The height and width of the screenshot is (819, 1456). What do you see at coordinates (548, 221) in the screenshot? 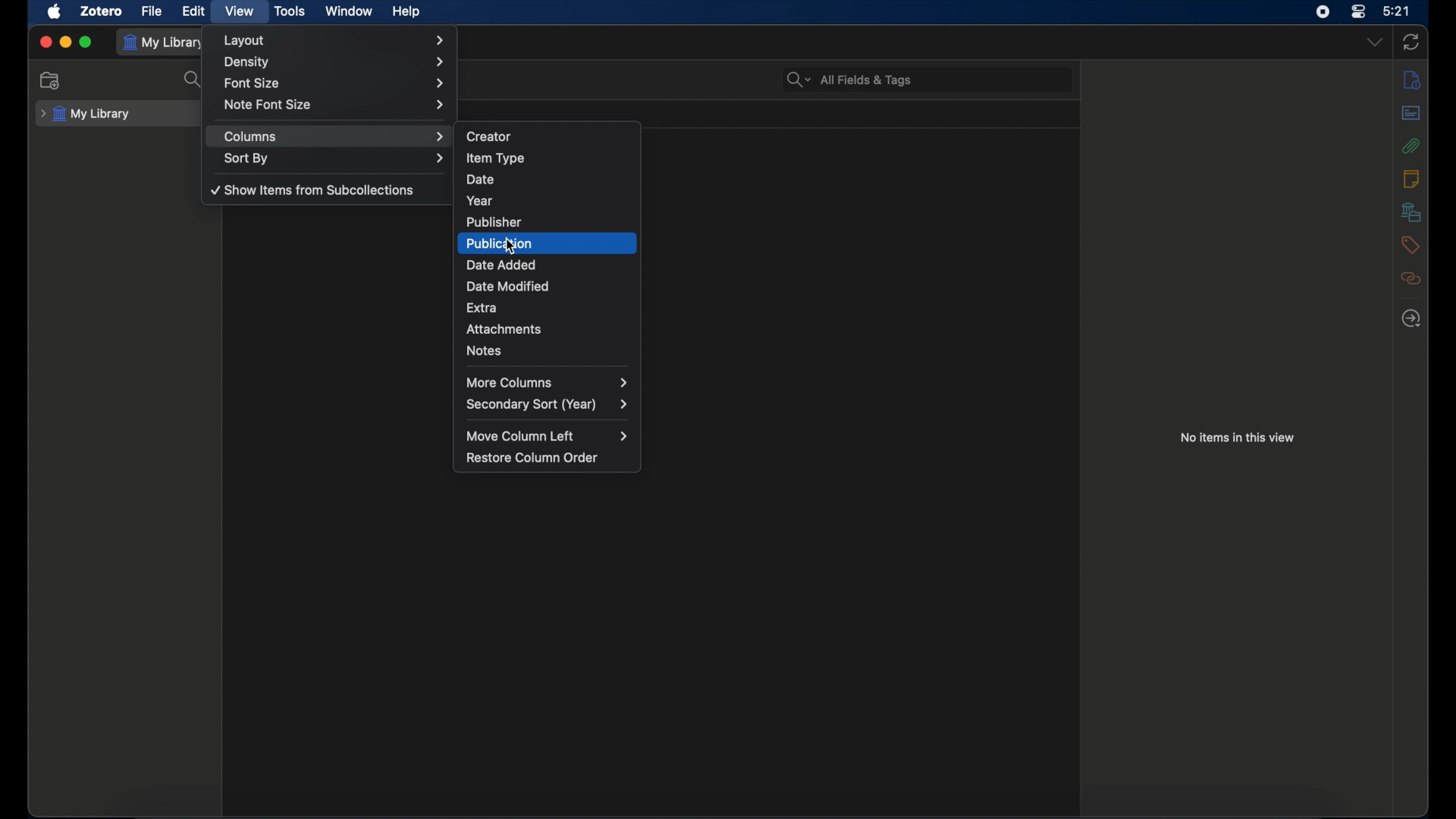
I see `publisher` at bounding box center [548, 221].